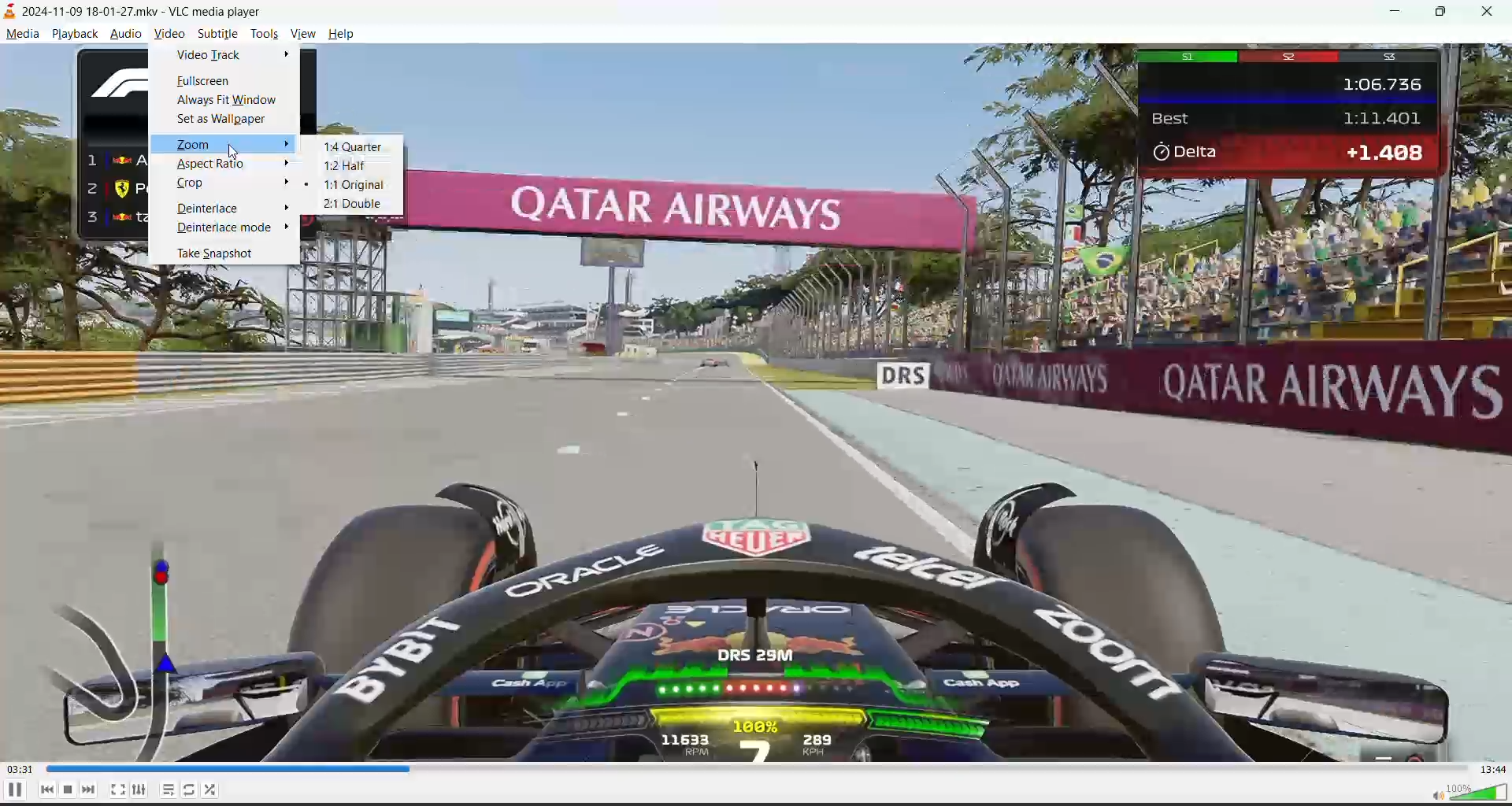 The height and width of the screenshot is (806, 1512). I want to click on current play time, so click(21, 771).